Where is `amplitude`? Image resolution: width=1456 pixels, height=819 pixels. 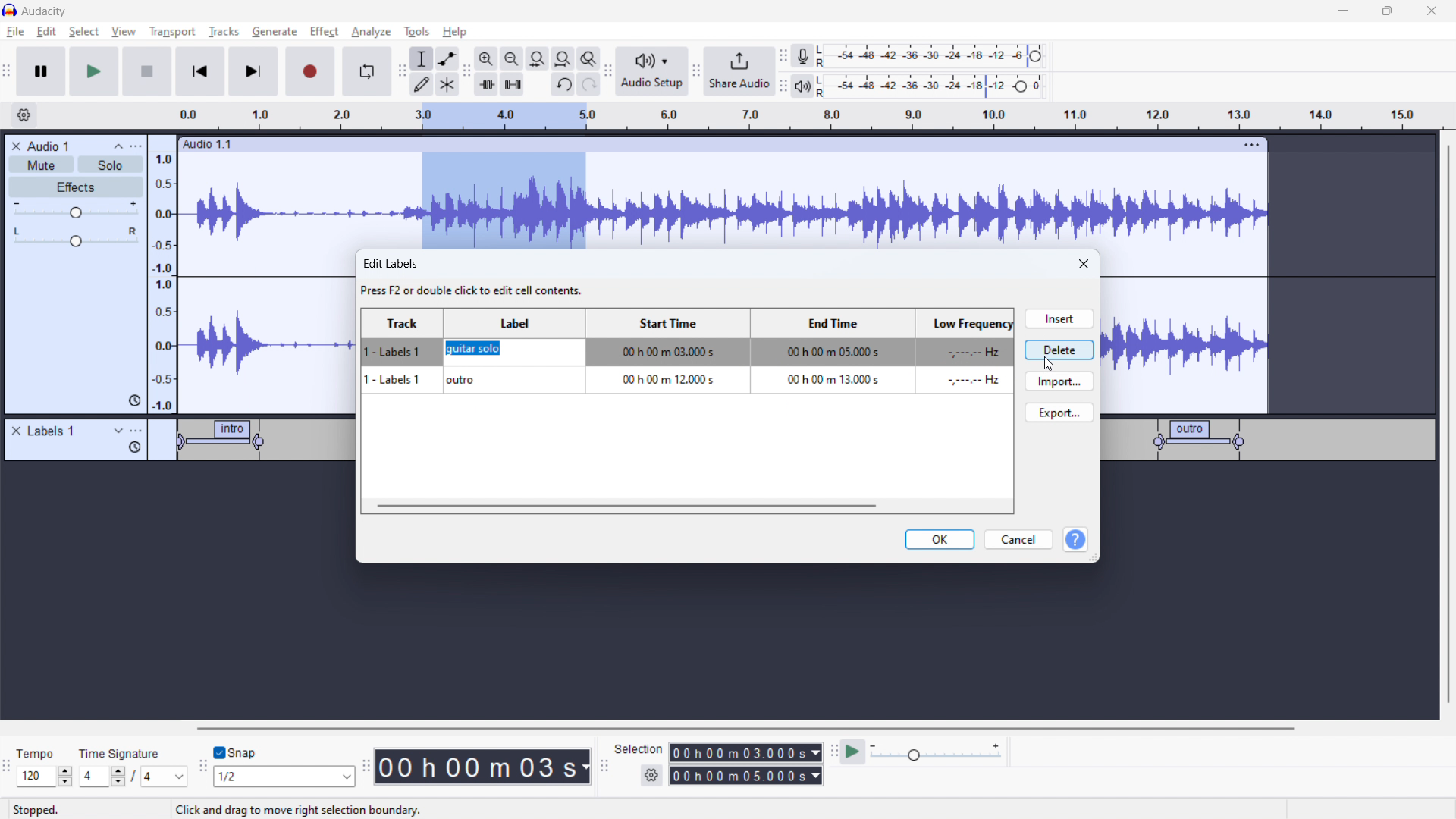 amplitude is located at coordinates (163, 274).